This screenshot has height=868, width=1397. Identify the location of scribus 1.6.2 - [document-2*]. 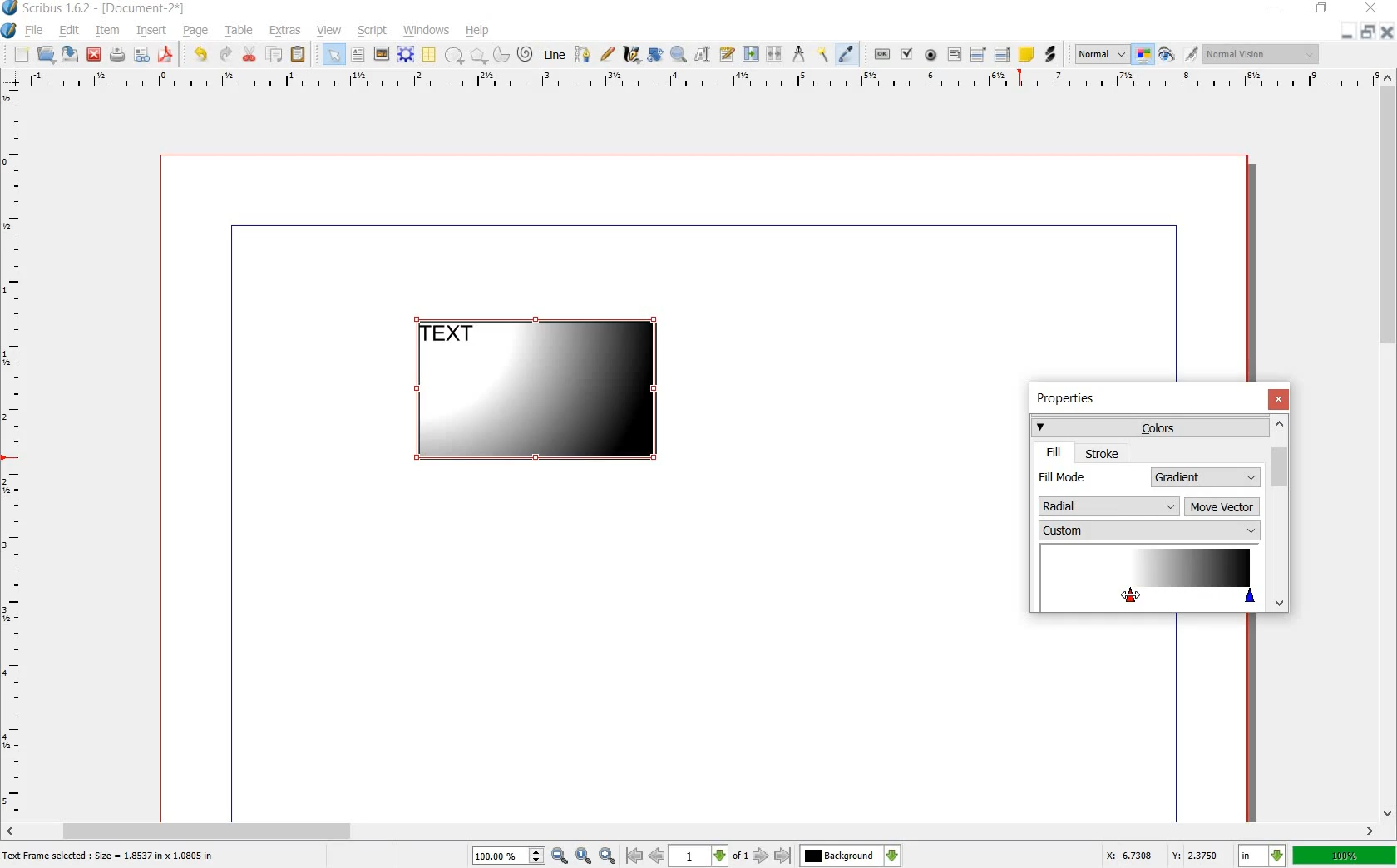
(110, 9).